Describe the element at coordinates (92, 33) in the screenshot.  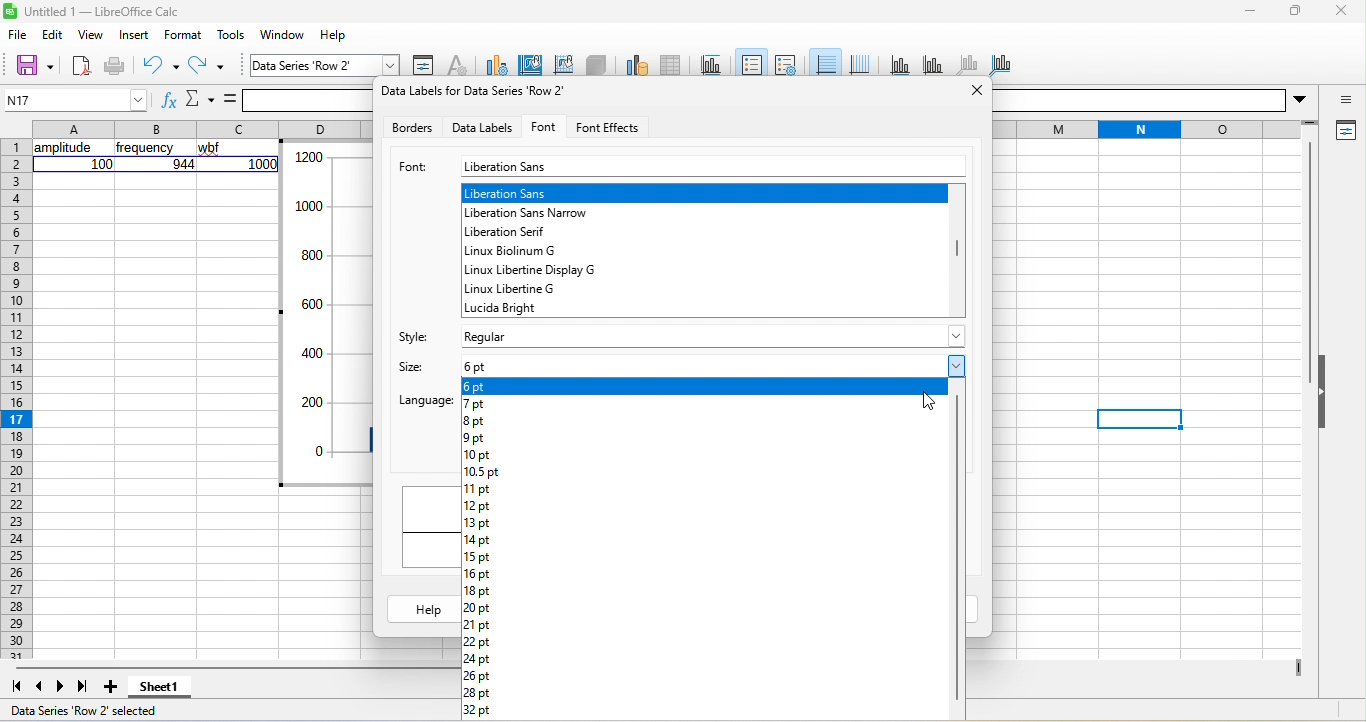
I see `view` at that location.